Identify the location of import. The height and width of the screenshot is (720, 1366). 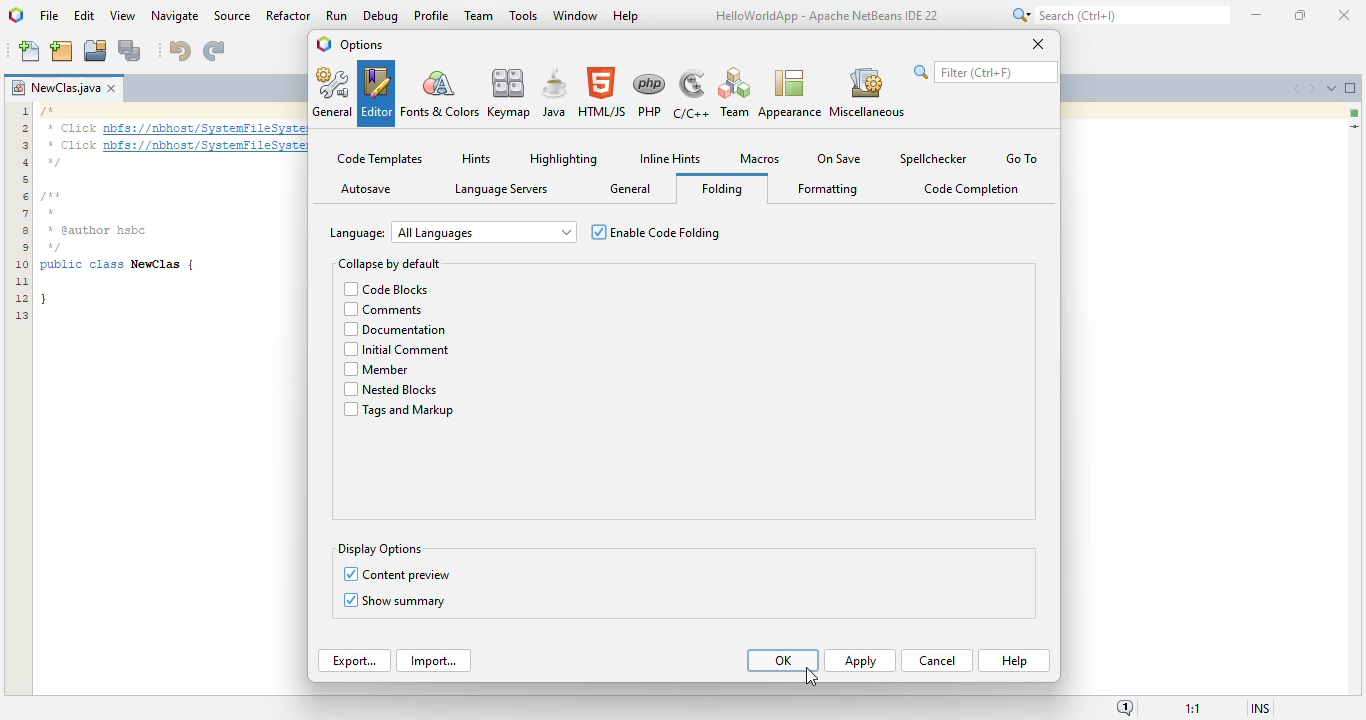
(434, 661).